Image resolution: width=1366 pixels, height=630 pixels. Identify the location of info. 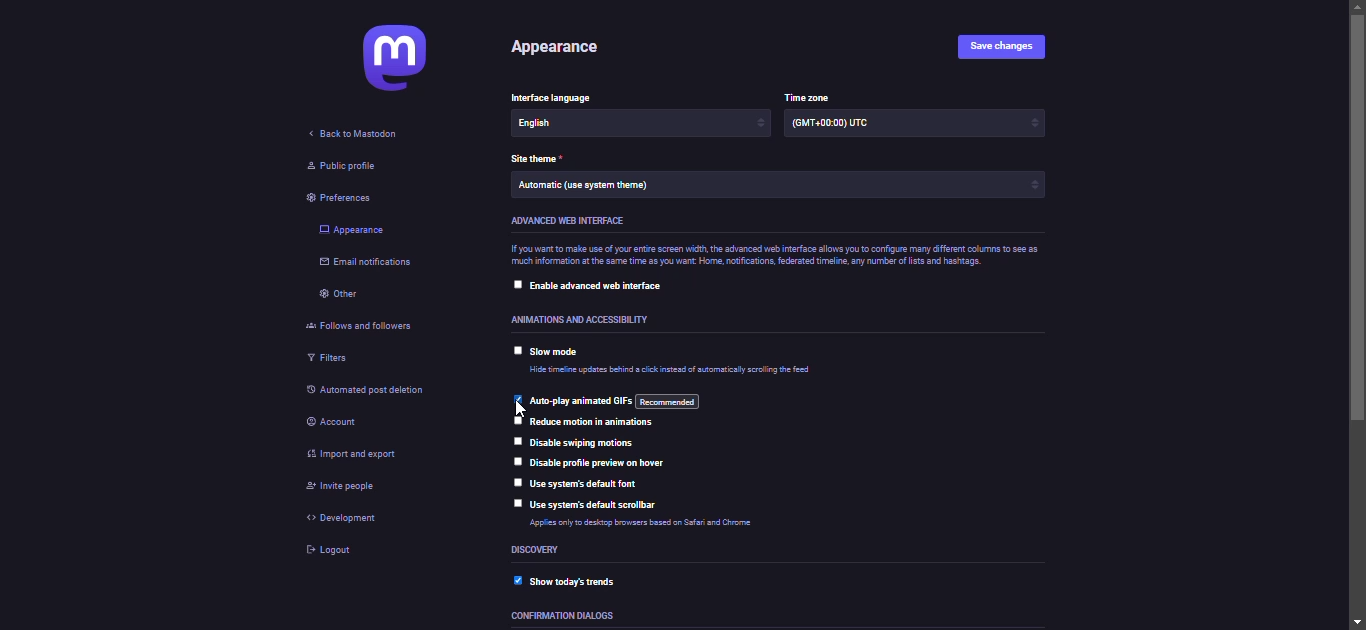
(668, 371).